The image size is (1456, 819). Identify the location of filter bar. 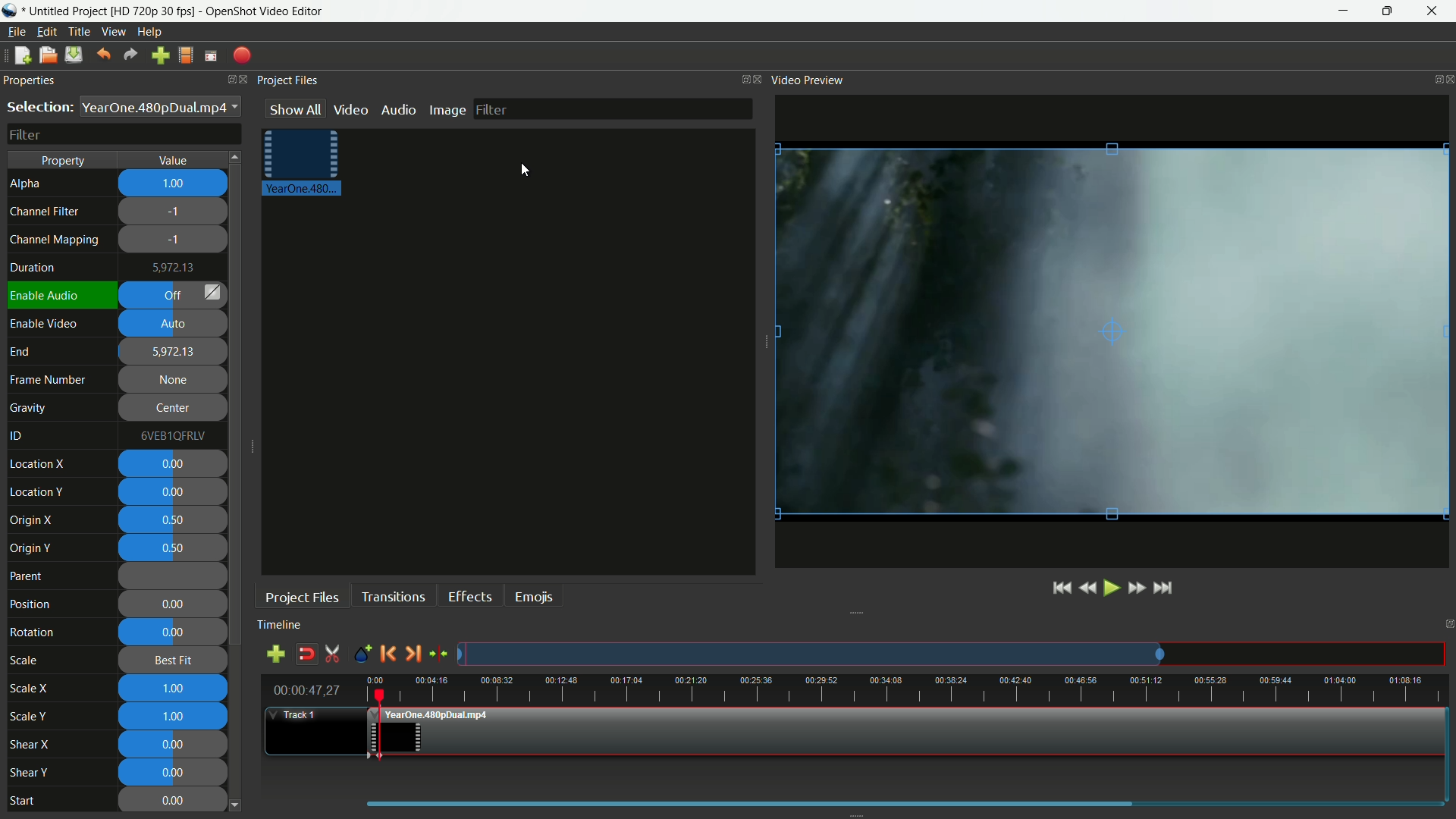
(124, 134).